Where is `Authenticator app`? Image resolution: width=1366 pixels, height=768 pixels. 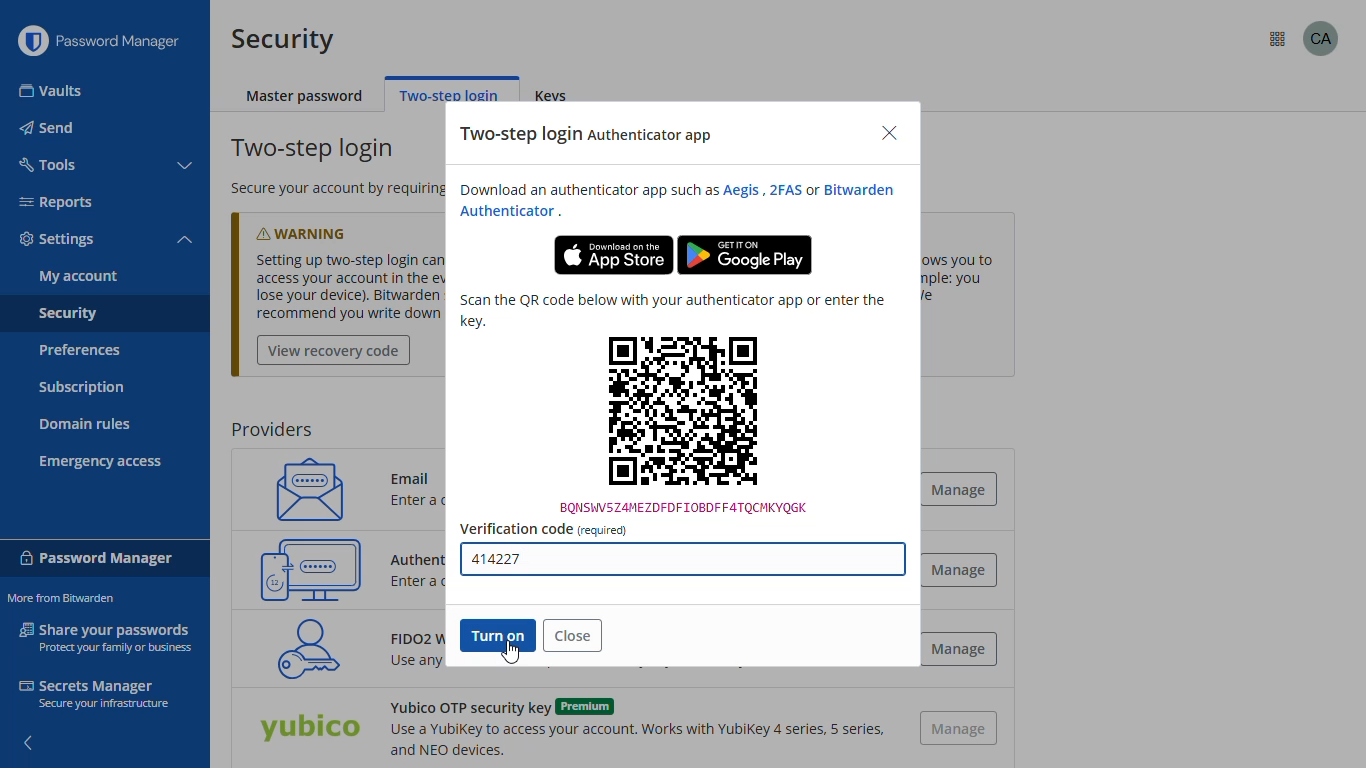 Authenticator app is located at coordinates (420, 557).